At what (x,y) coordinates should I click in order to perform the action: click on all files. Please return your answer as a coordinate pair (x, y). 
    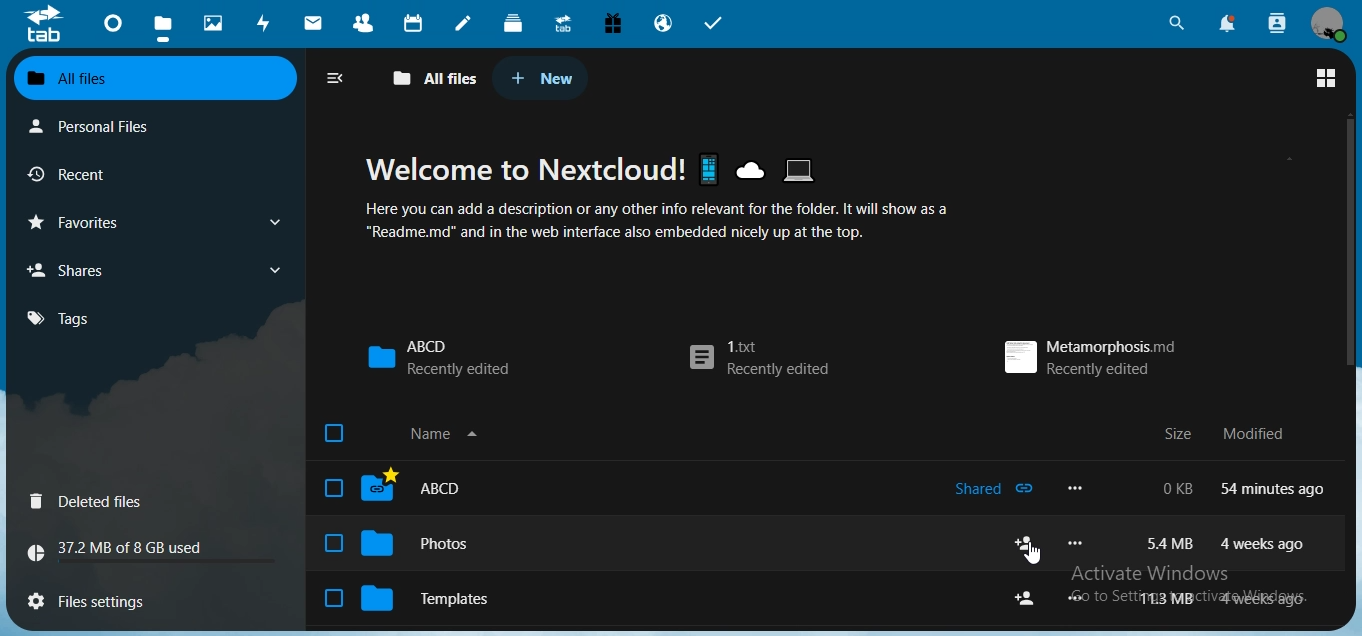
    Looking at the image, I should click on (436, 79).